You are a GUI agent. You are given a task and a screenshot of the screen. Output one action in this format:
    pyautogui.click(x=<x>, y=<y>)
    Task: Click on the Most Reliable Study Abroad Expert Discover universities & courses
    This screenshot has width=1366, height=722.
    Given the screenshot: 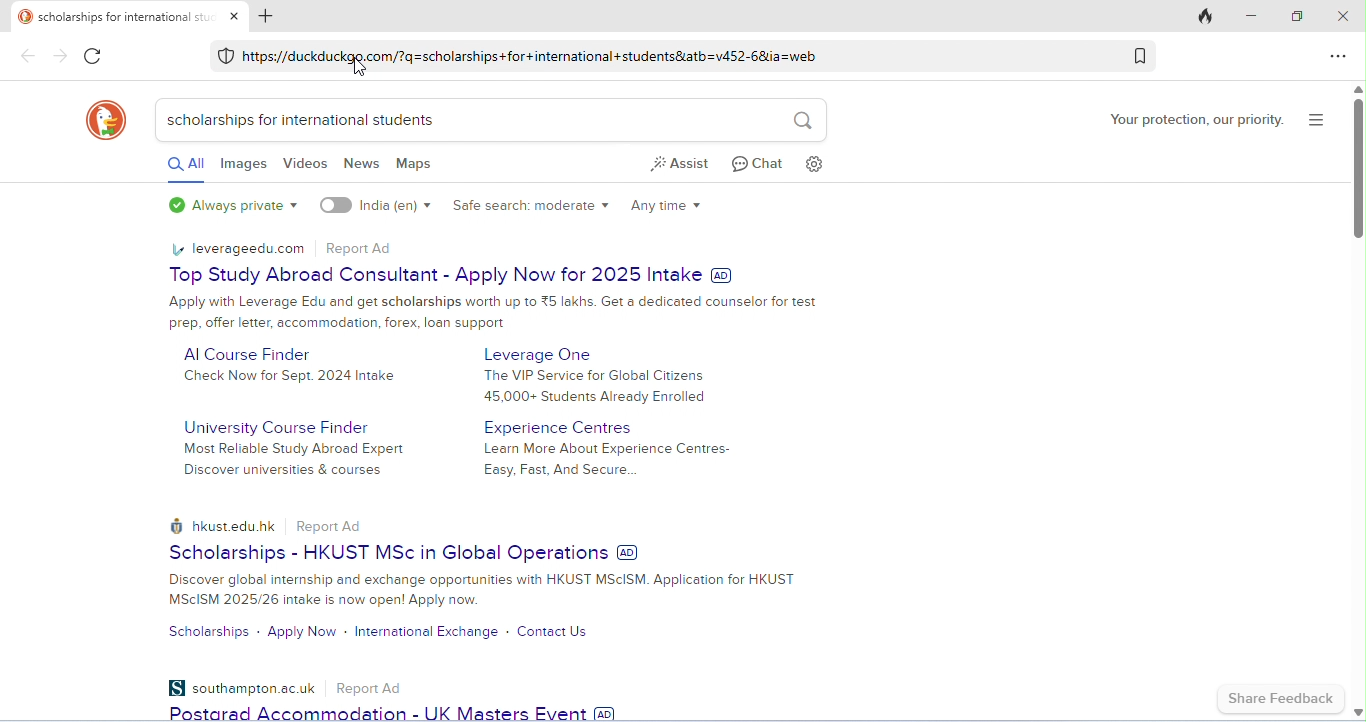 What is the action you would take?
    pyautogui.click(x=300, y=461)
    